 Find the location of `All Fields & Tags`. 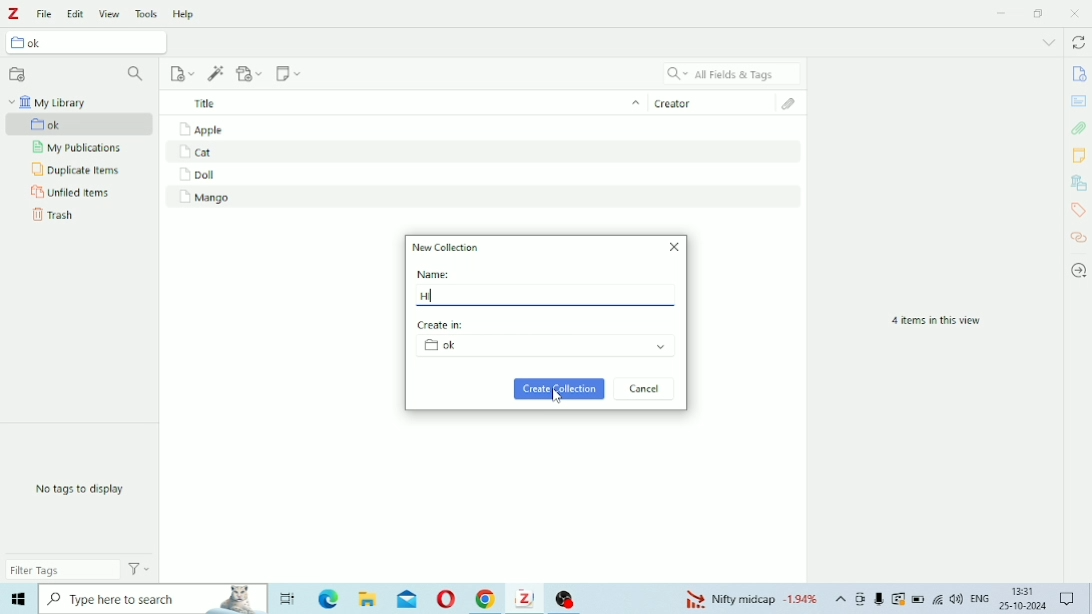

All Fields & Tags is located at coordinates (732, 73).